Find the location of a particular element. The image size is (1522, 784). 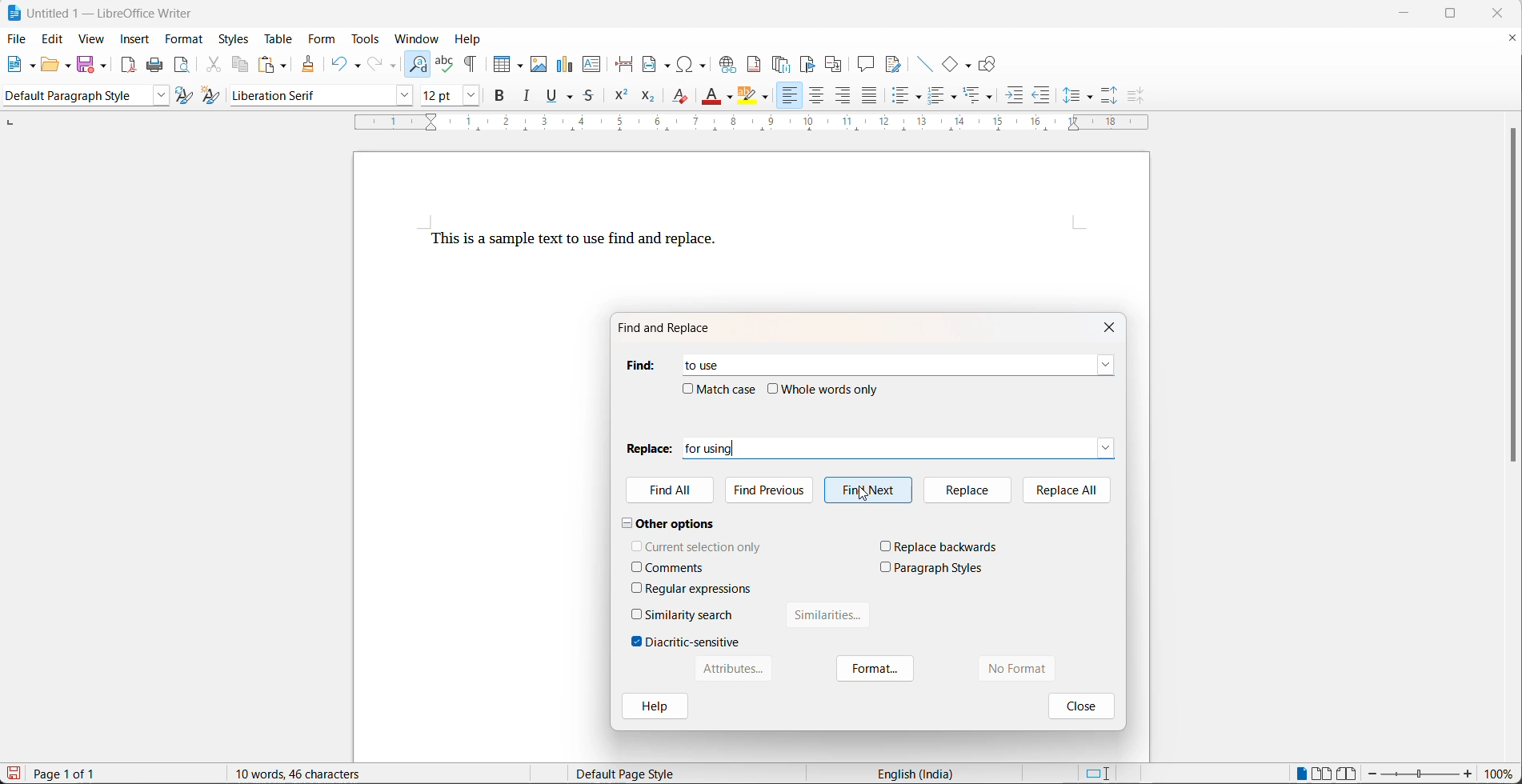

page break is located at coordinates (626, 64).